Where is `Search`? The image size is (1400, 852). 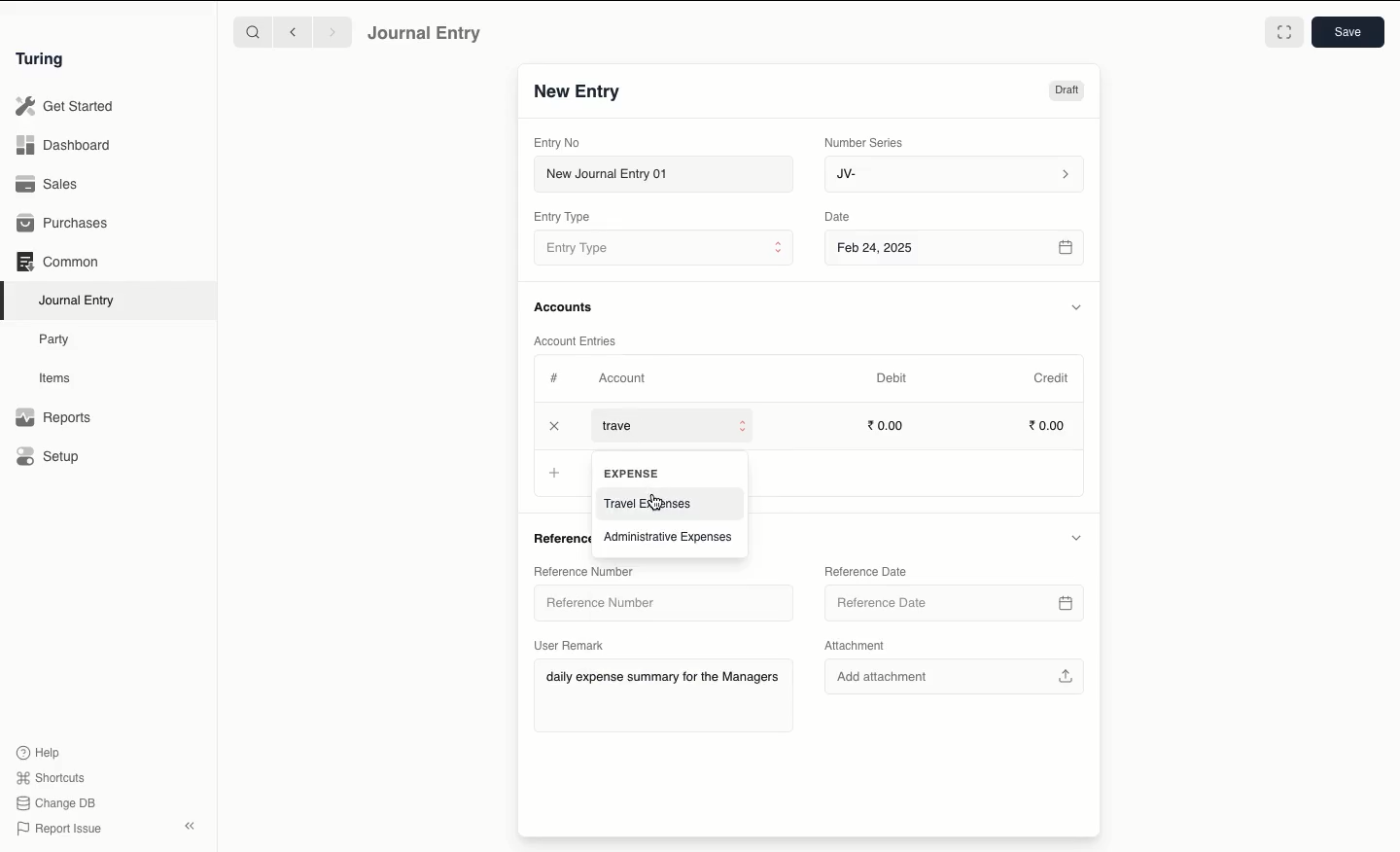 Search is located at coordinates (252, 31).